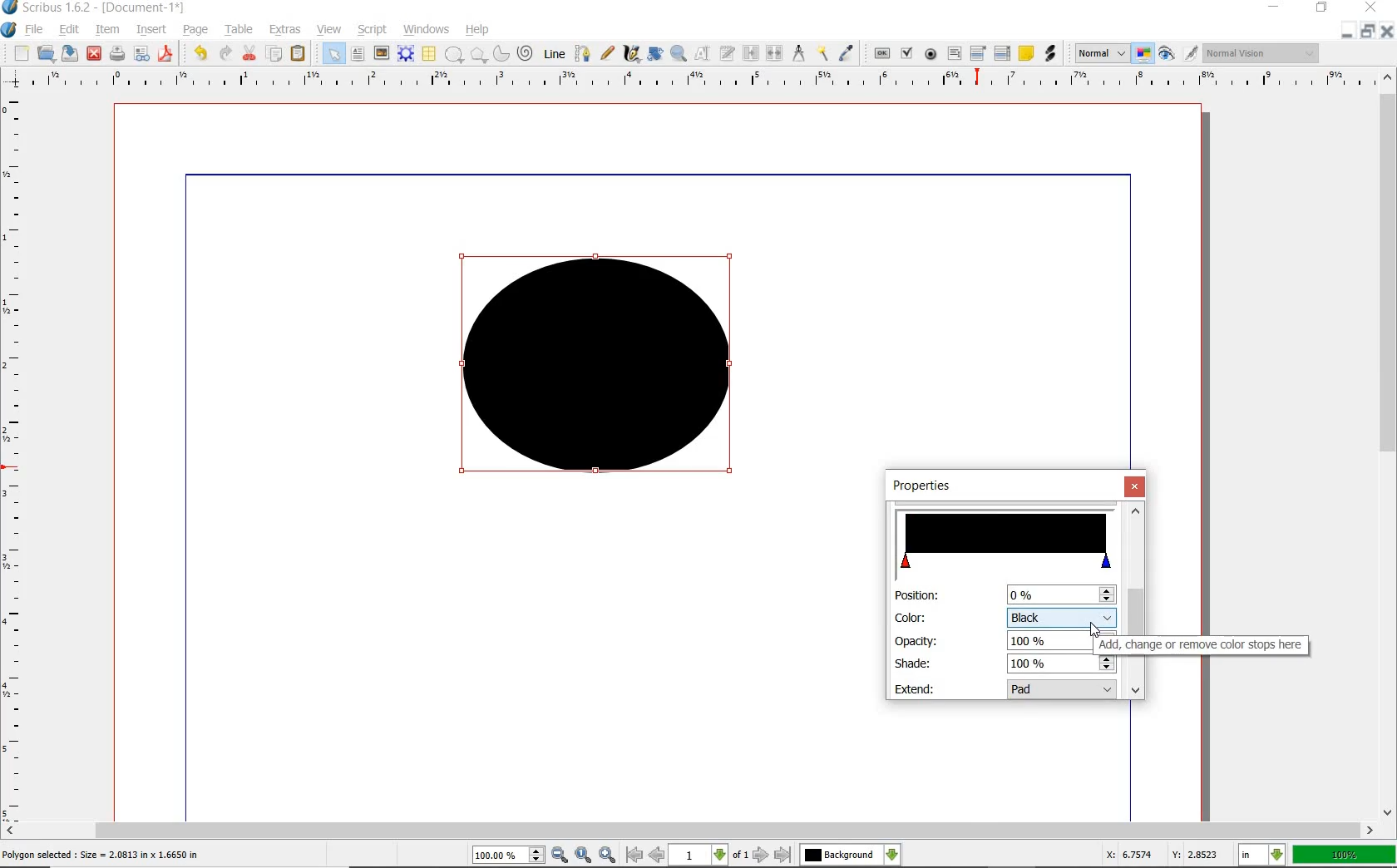 The image size is (1397, 868). What do you see at coordinates (276, 54) in the screenshot?
I see `COPY` at bounding box center [276, 54].